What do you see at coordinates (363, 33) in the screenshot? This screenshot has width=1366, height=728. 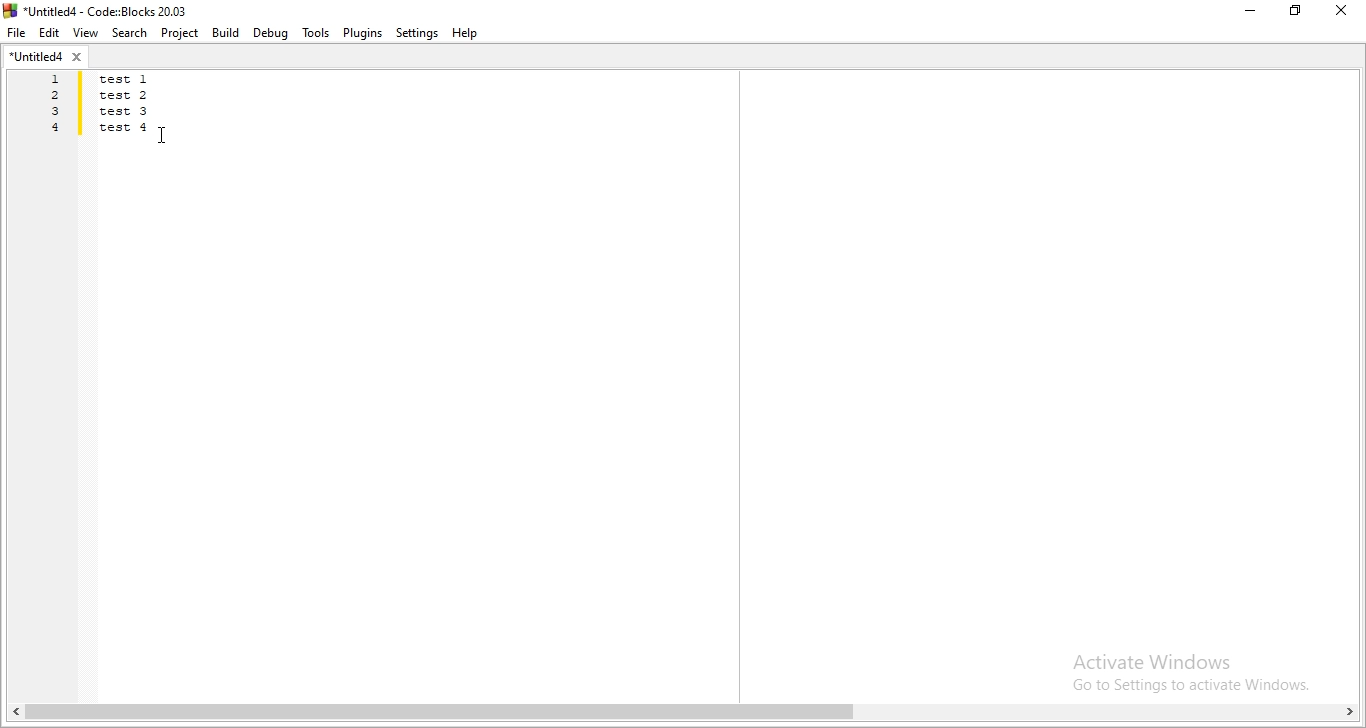 I see `Plugins ` at bounding box center [363, 33].